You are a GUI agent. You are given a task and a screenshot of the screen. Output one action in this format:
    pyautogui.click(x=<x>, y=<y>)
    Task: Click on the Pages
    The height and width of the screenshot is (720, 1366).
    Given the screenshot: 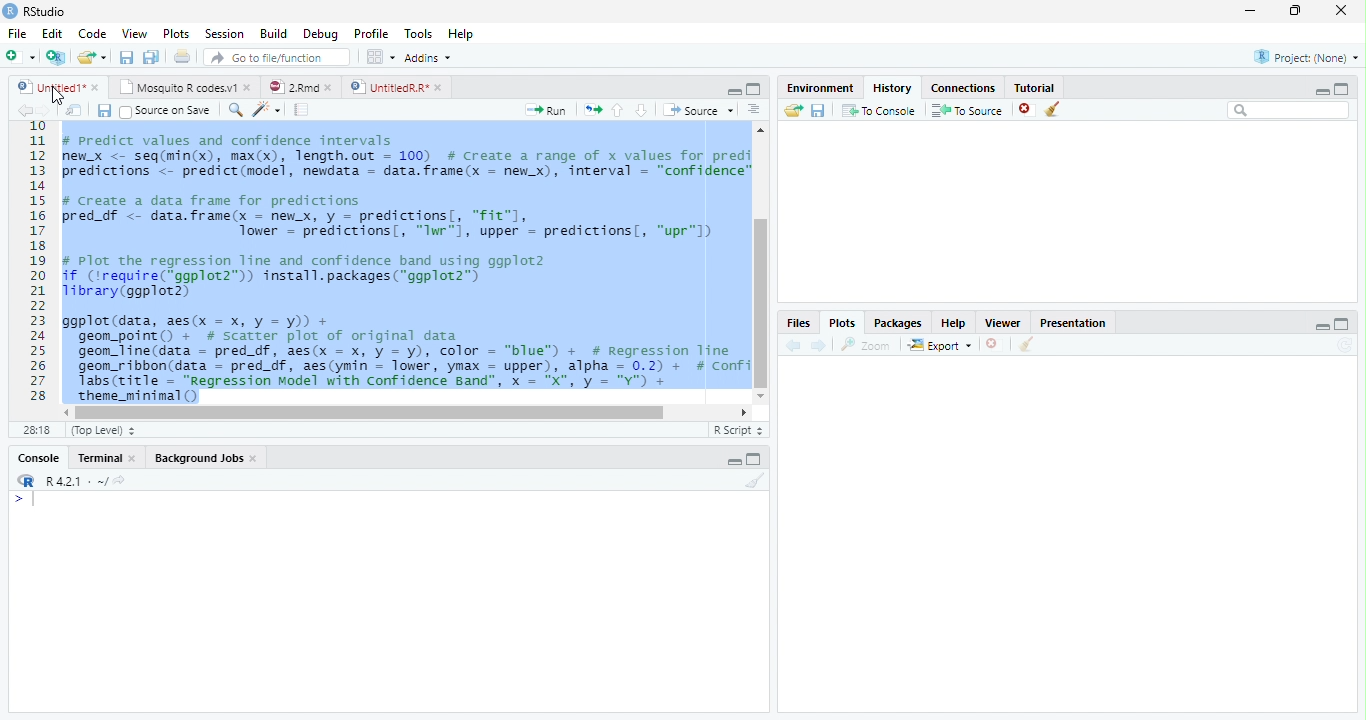 What is the action you would take?
    pyautogui.click(x=305, y=111)
    